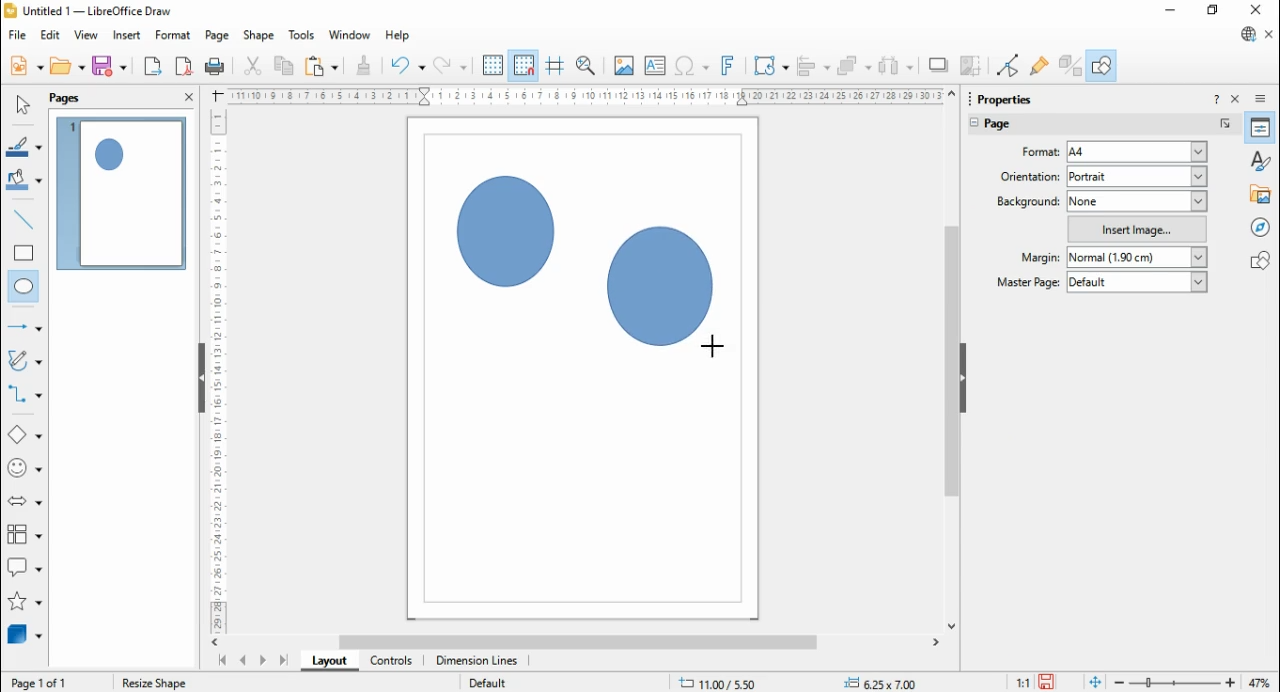 The image size is (1280, 692). I want to click on shape, so click(258, 36).